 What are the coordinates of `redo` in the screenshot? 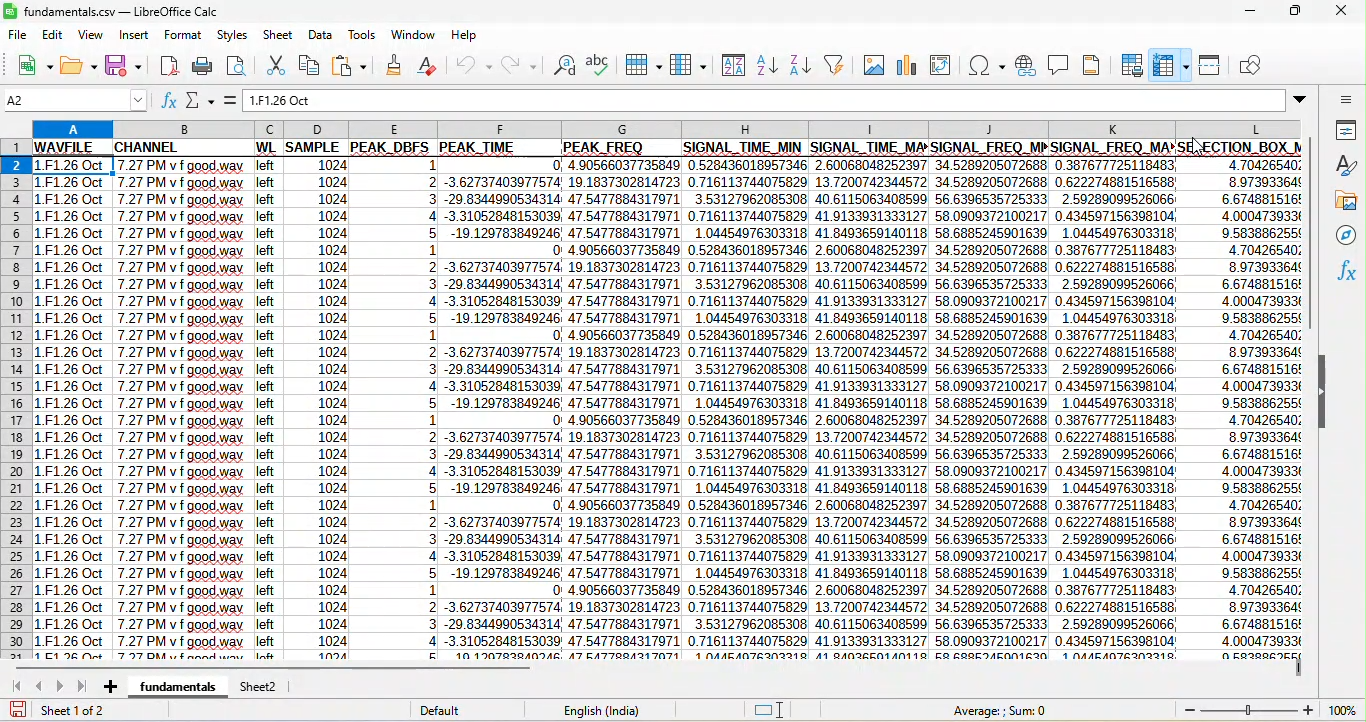 It's located at (525, 64).